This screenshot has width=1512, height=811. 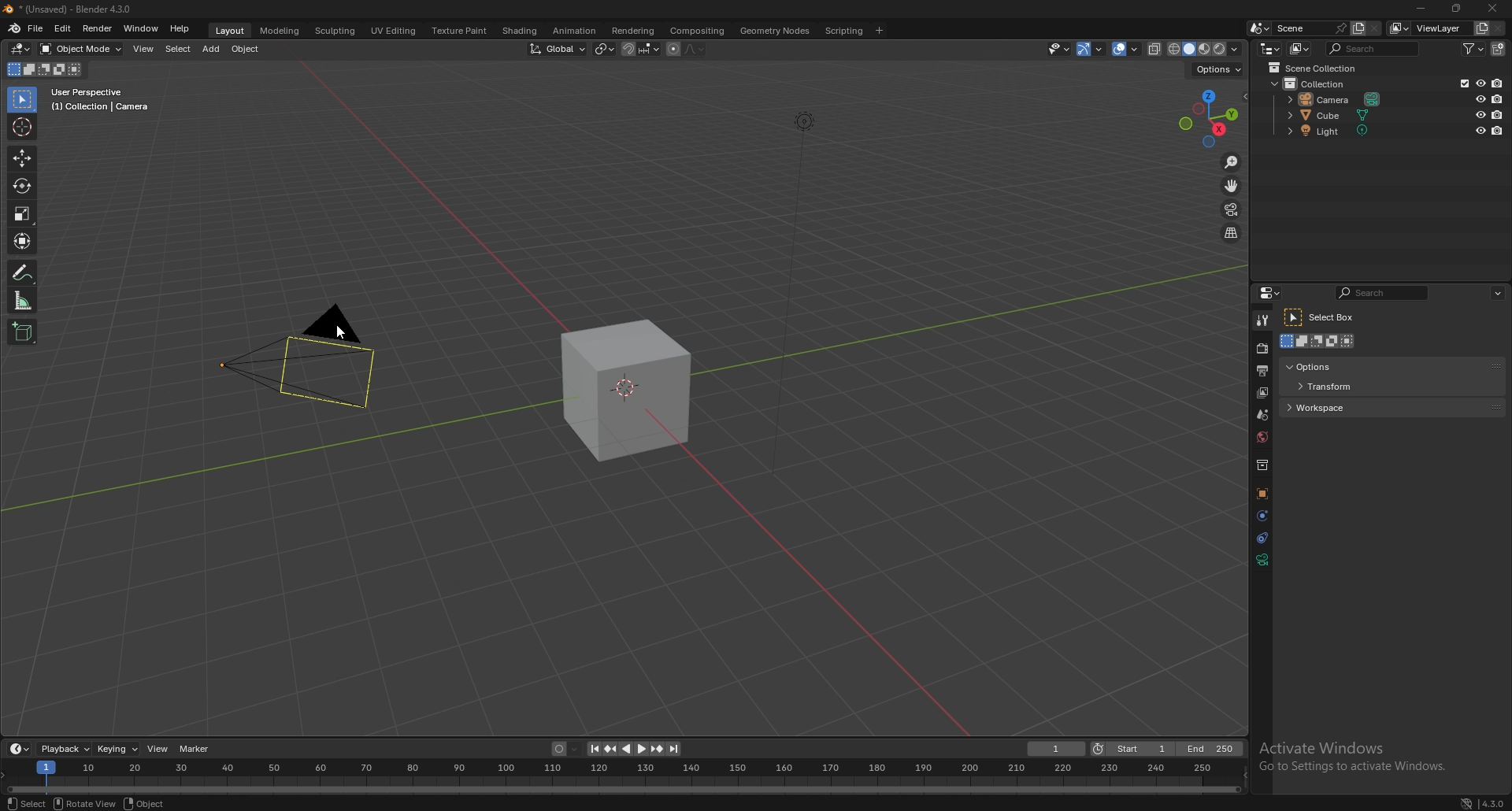 What do you see at coordinates (610, 749) in the screenshot?
I see `jump to keyframe` at bounding box center [610, 749].